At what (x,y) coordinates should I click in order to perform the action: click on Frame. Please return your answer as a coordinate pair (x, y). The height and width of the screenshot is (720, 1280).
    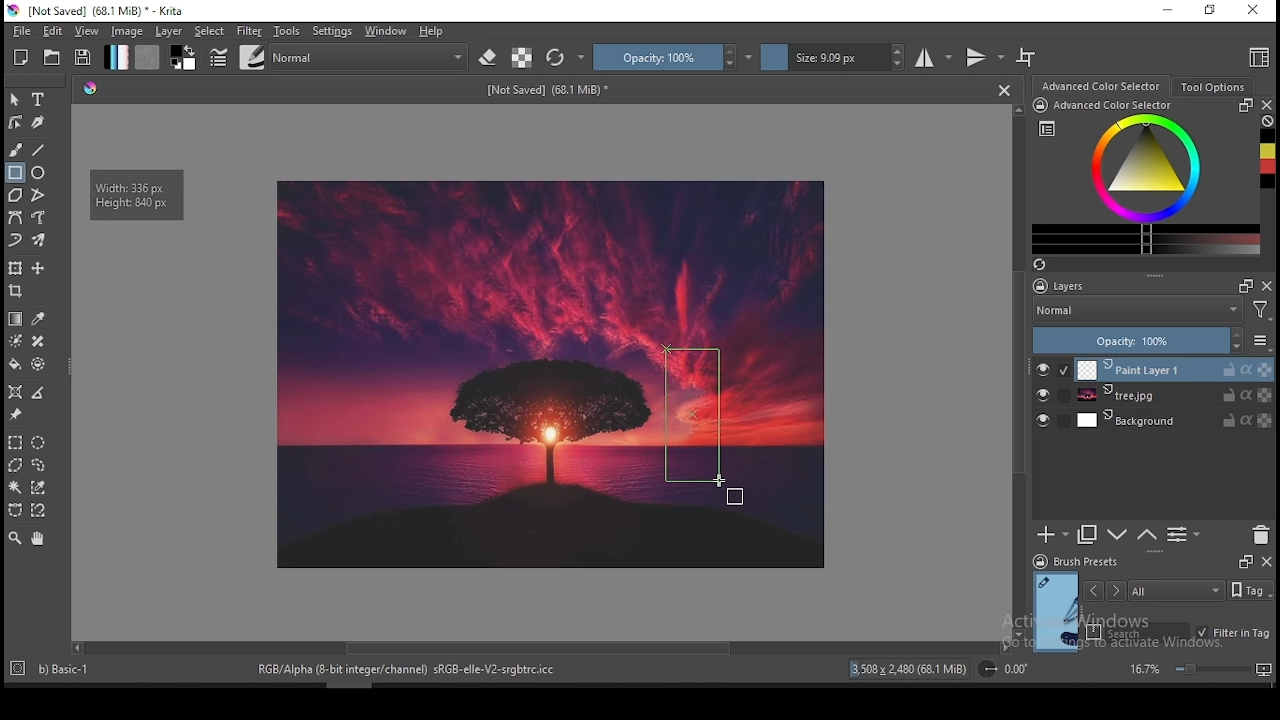
    Looking at the image, I should click on (1245, 286).